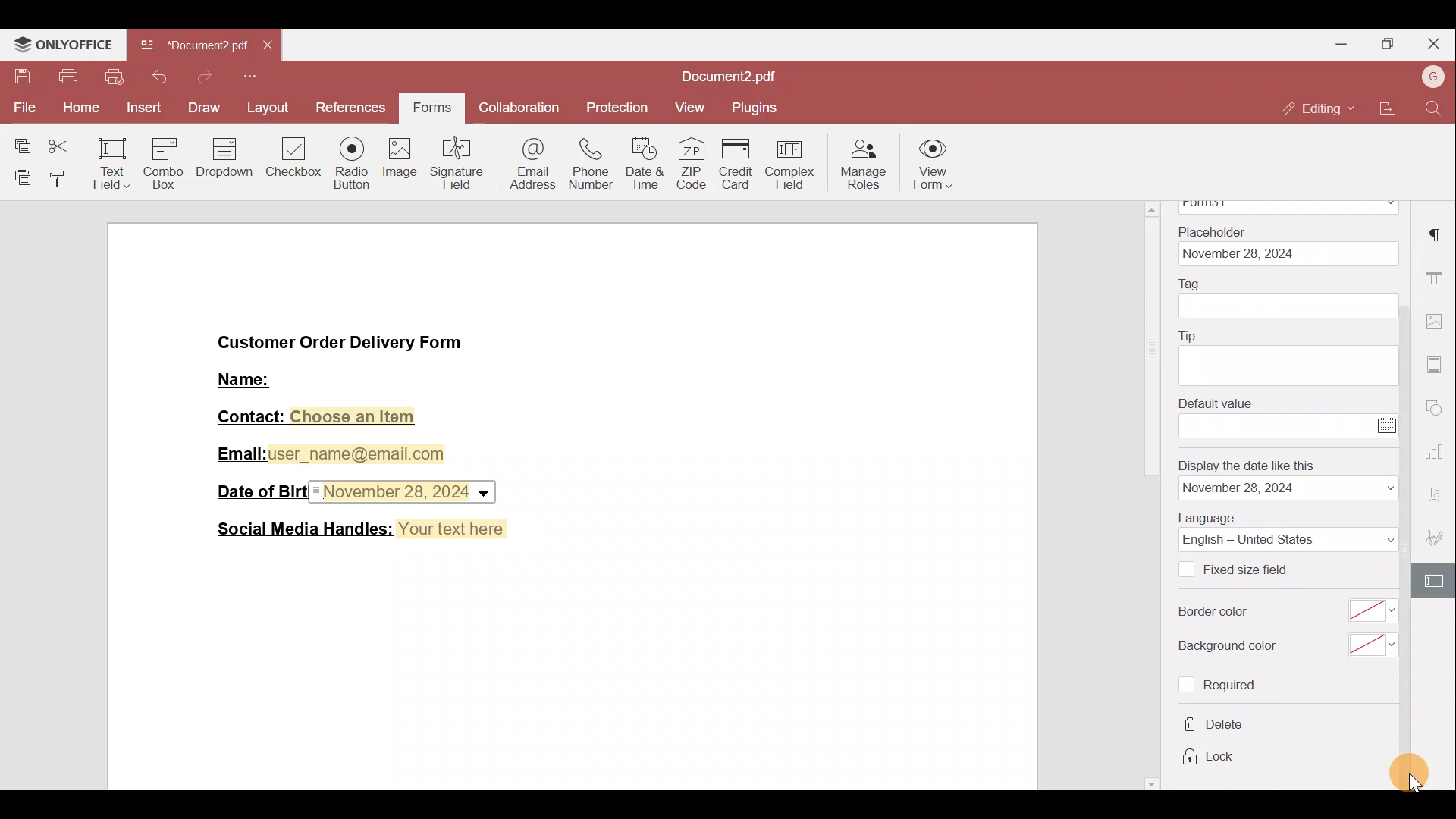 The width and height of the screenshot is (1456, 819). Describe the element at coordinates (1207, 518) in the screenshot. I see `Language` at that location.